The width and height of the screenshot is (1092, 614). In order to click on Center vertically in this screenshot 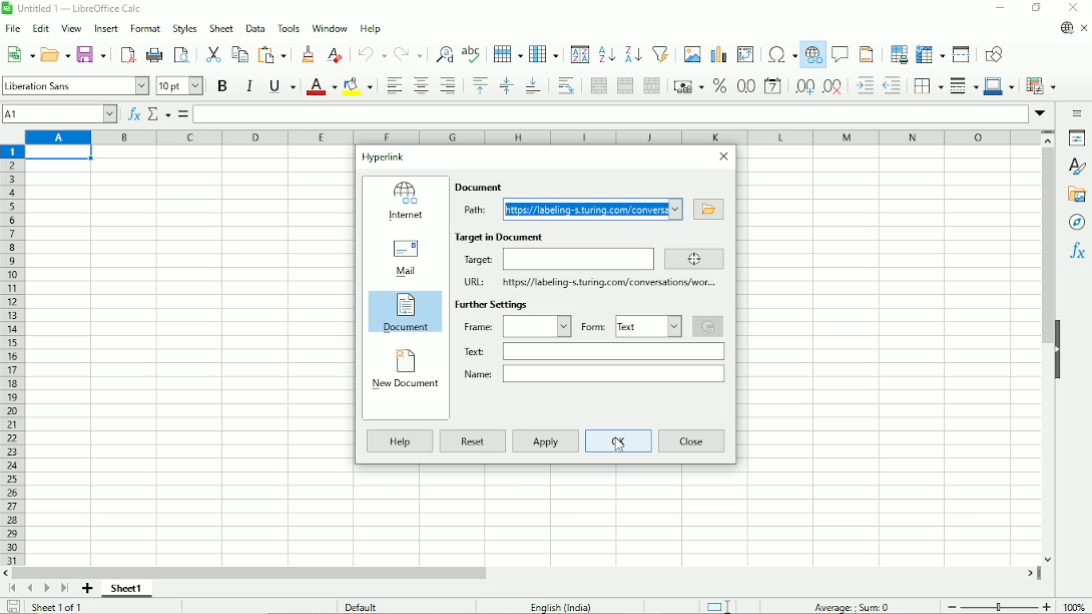, I will do `click(506, 86)`.